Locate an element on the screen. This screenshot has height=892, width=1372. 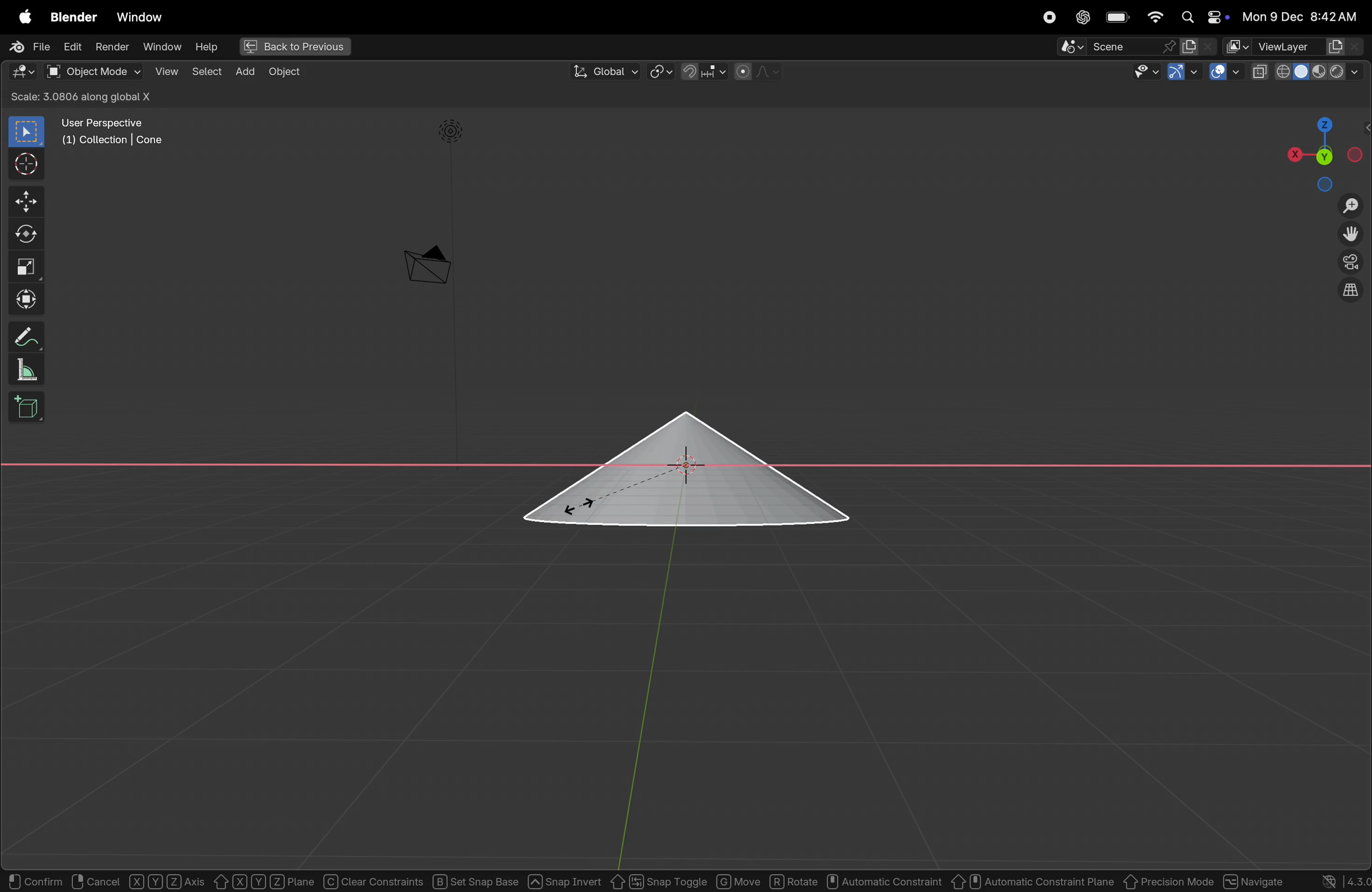
snap toggle is located at coordinates (658, 880).